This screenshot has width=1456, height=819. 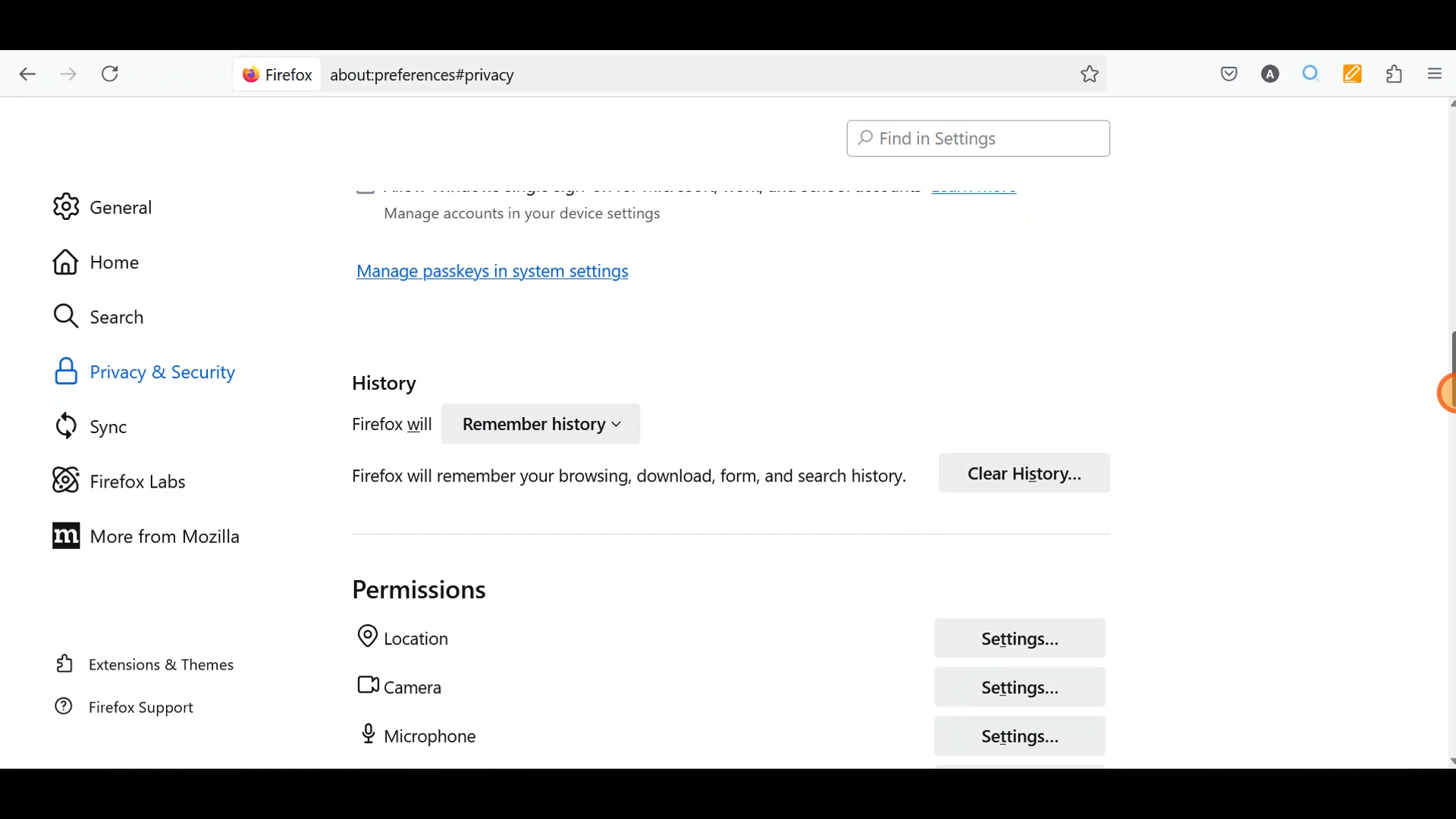 What do you see at coordinates (376, 427) in the screenshot?
I see `Firefox will` at bounding box center [376, 427].